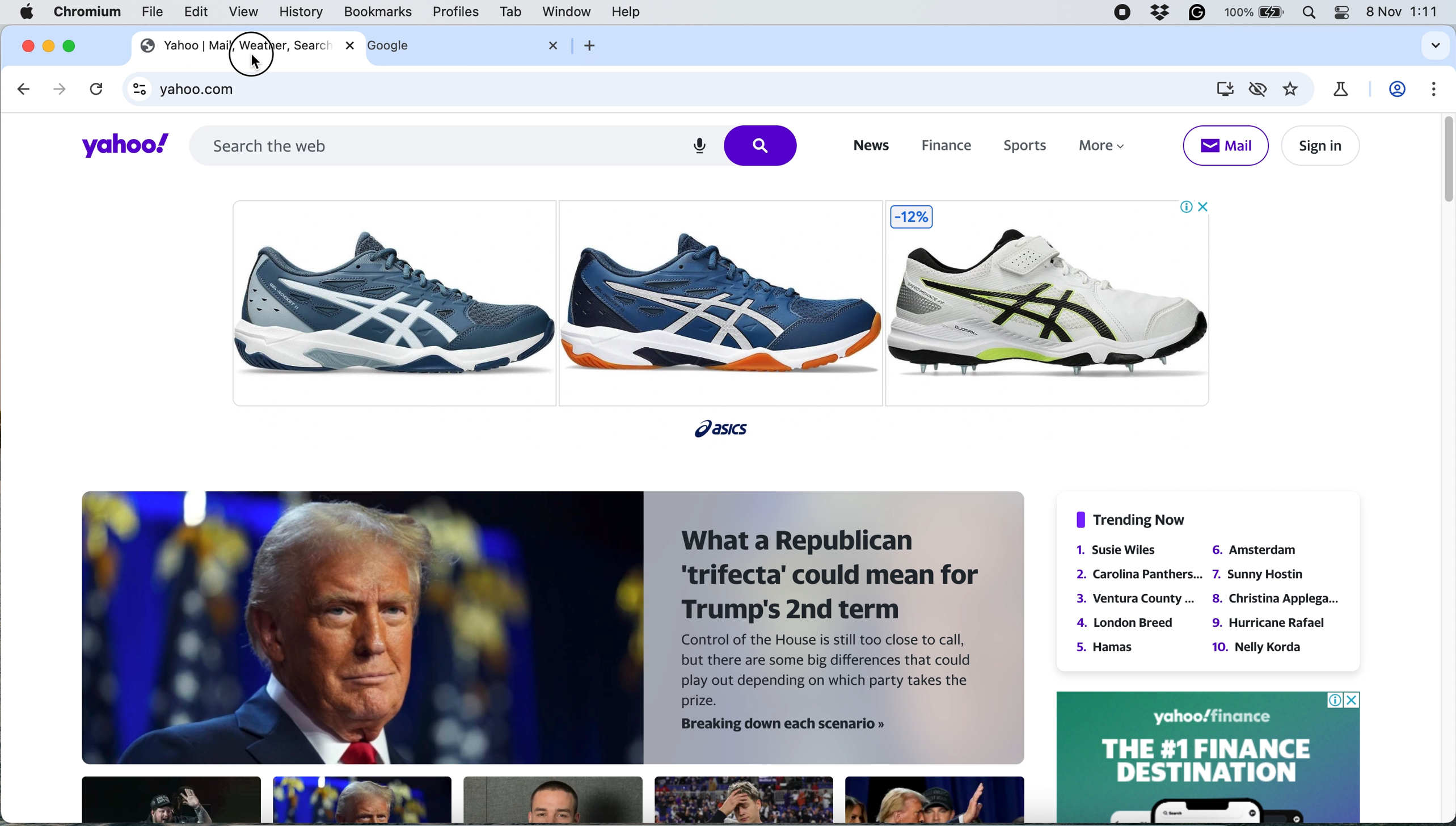 The height and width of the screenshot is (826, 1456). What do you see at coordinates (1405, 12) in the screenshot?
I see `8 nov 1:11` at bounding box center [1405, 12].